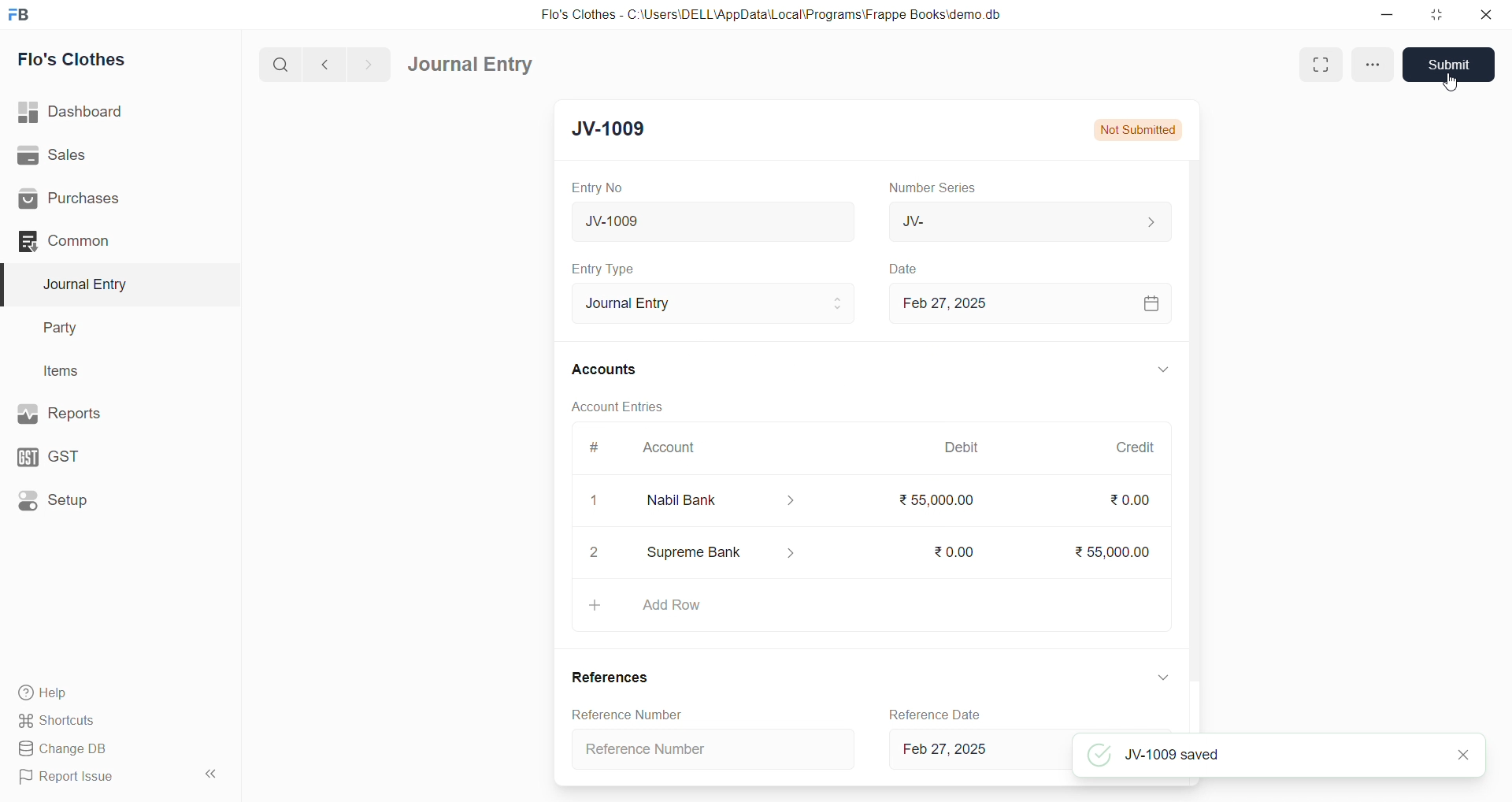 This screenshot has height=802, width=1512. What do you see at coordinates (951, 552) in the screenshot?
I see `₹0.00` at bounding box center [951, 552].